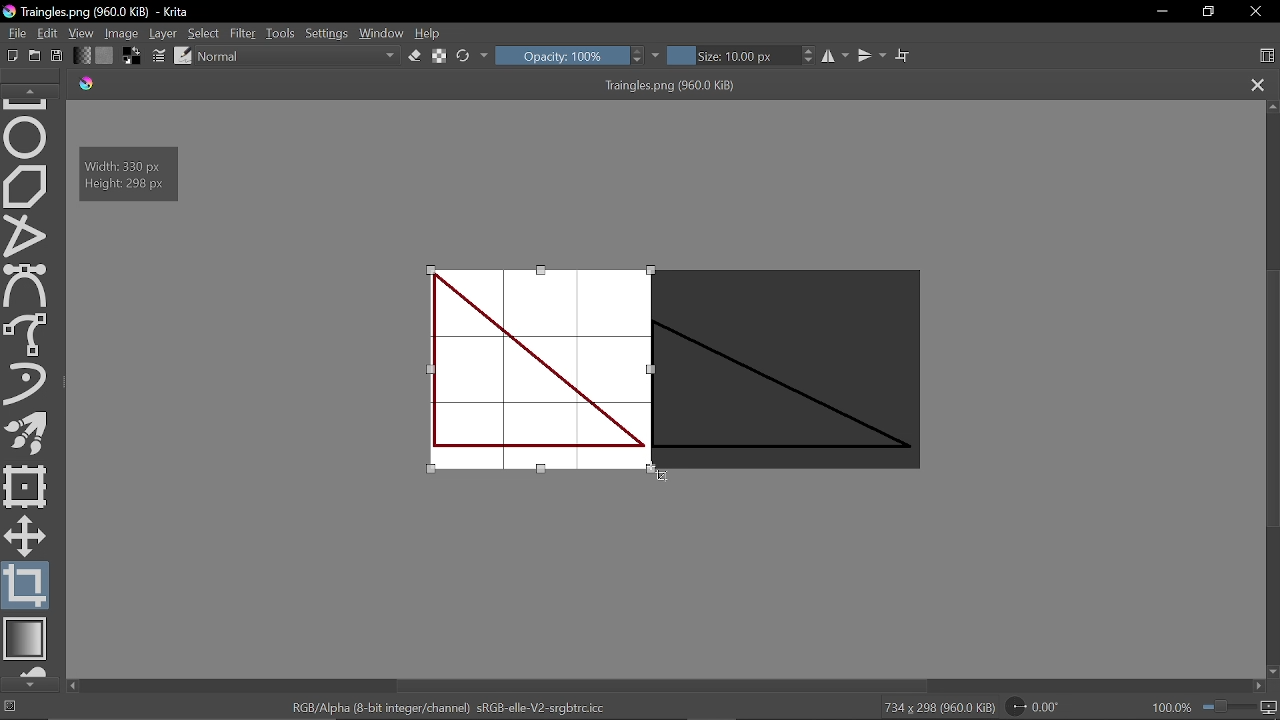  I want to click on move left, so click(72, 686).